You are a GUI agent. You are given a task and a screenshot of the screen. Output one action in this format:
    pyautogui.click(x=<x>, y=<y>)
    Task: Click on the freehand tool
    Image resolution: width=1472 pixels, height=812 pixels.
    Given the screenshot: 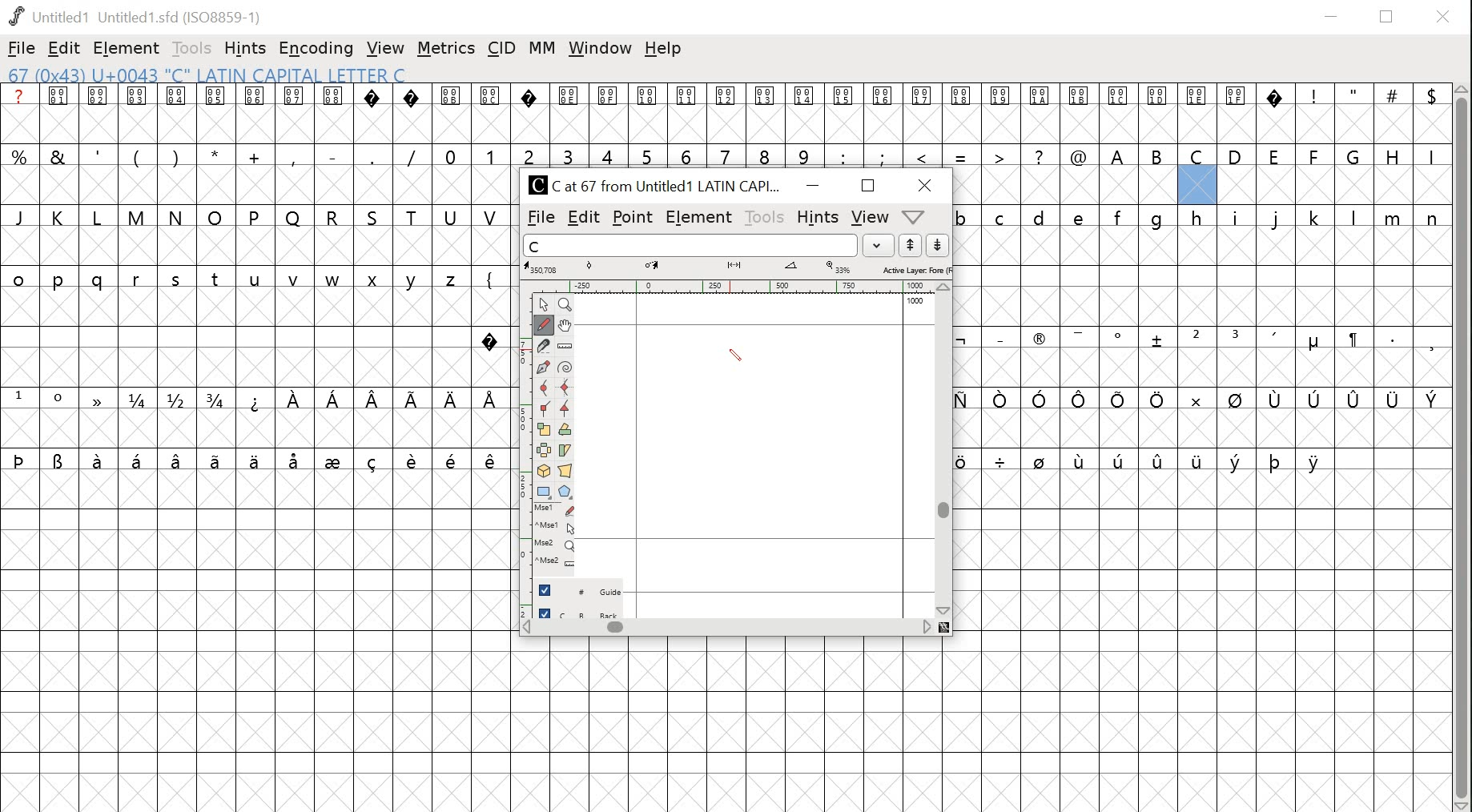 What is the action you would take?
    pyautogui.click(x=547, y=324)
    